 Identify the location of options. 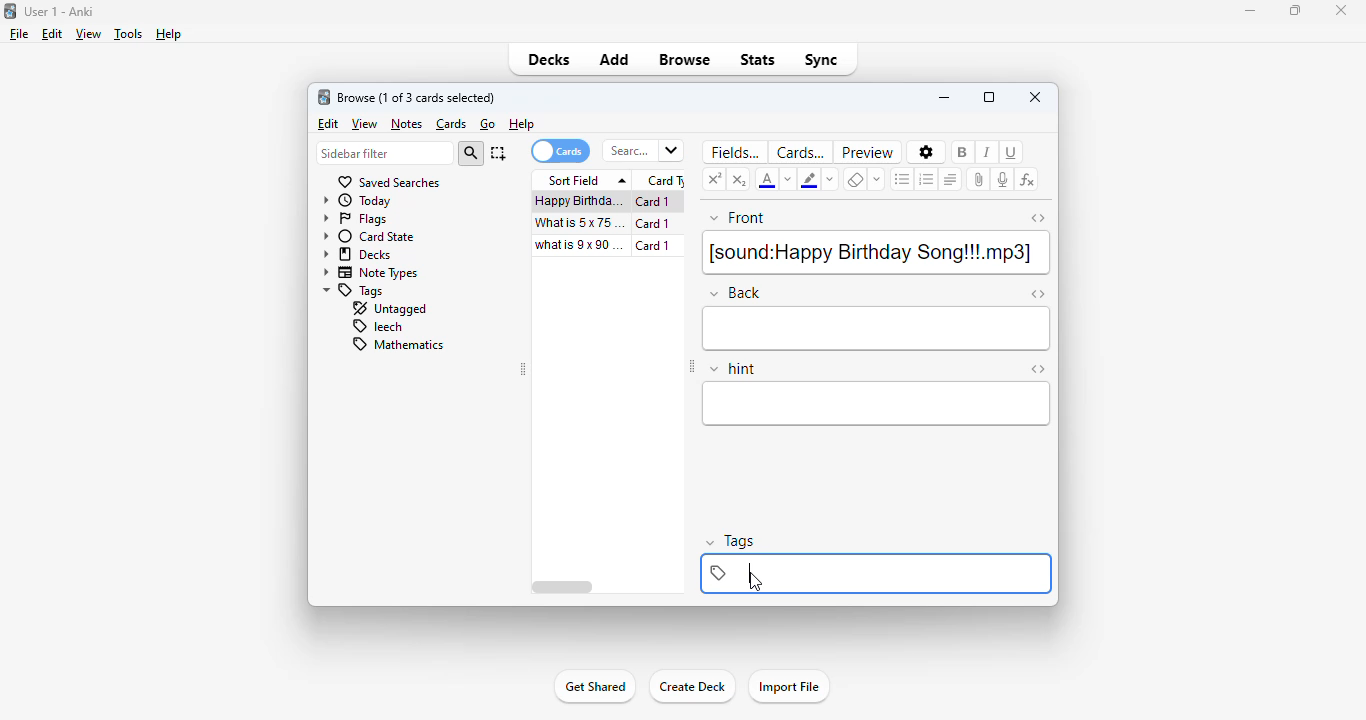
(925, 152).